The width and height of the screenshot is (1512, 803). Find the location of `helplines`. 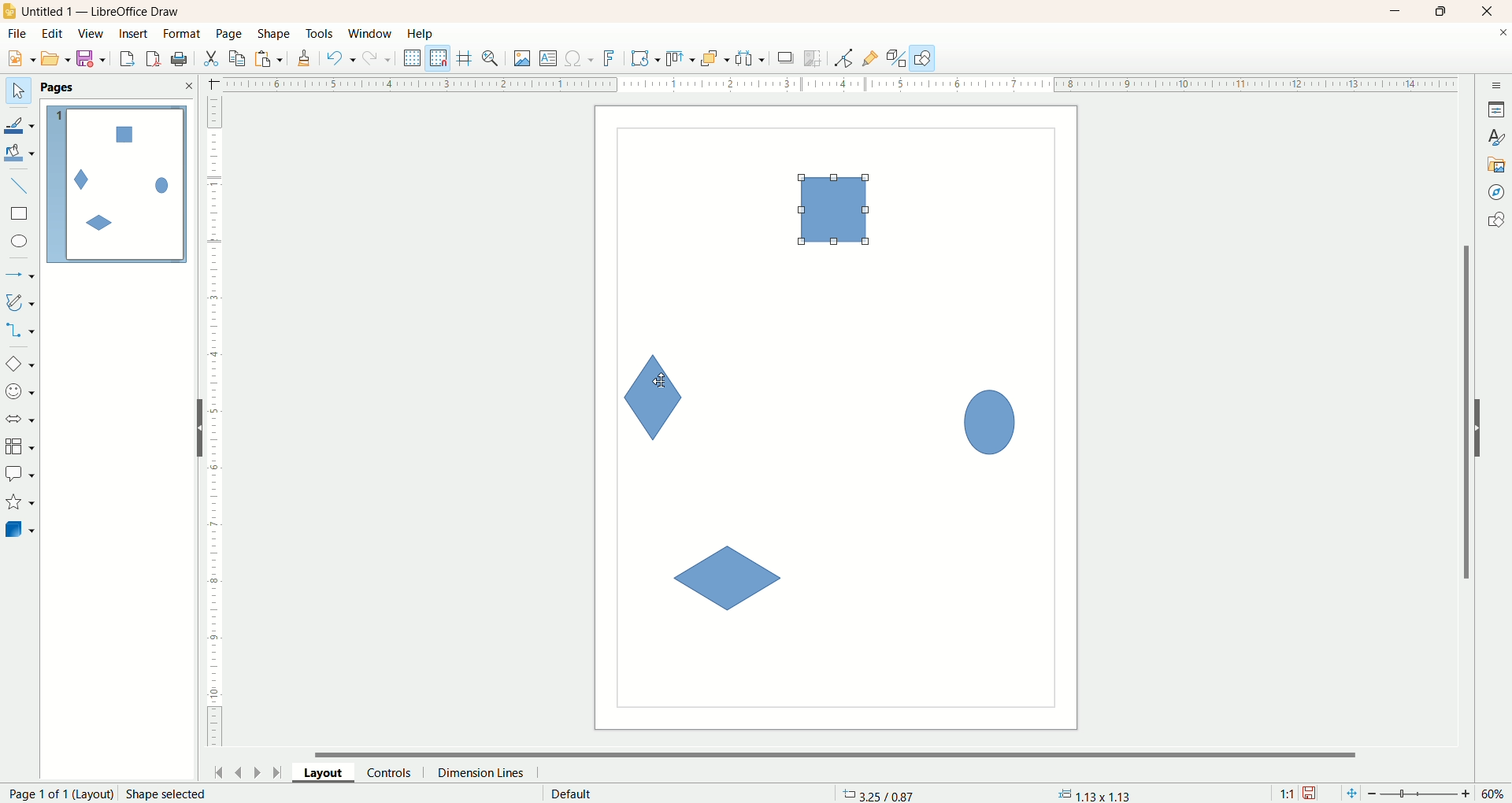

helplines is located at coordinates (467, 58).